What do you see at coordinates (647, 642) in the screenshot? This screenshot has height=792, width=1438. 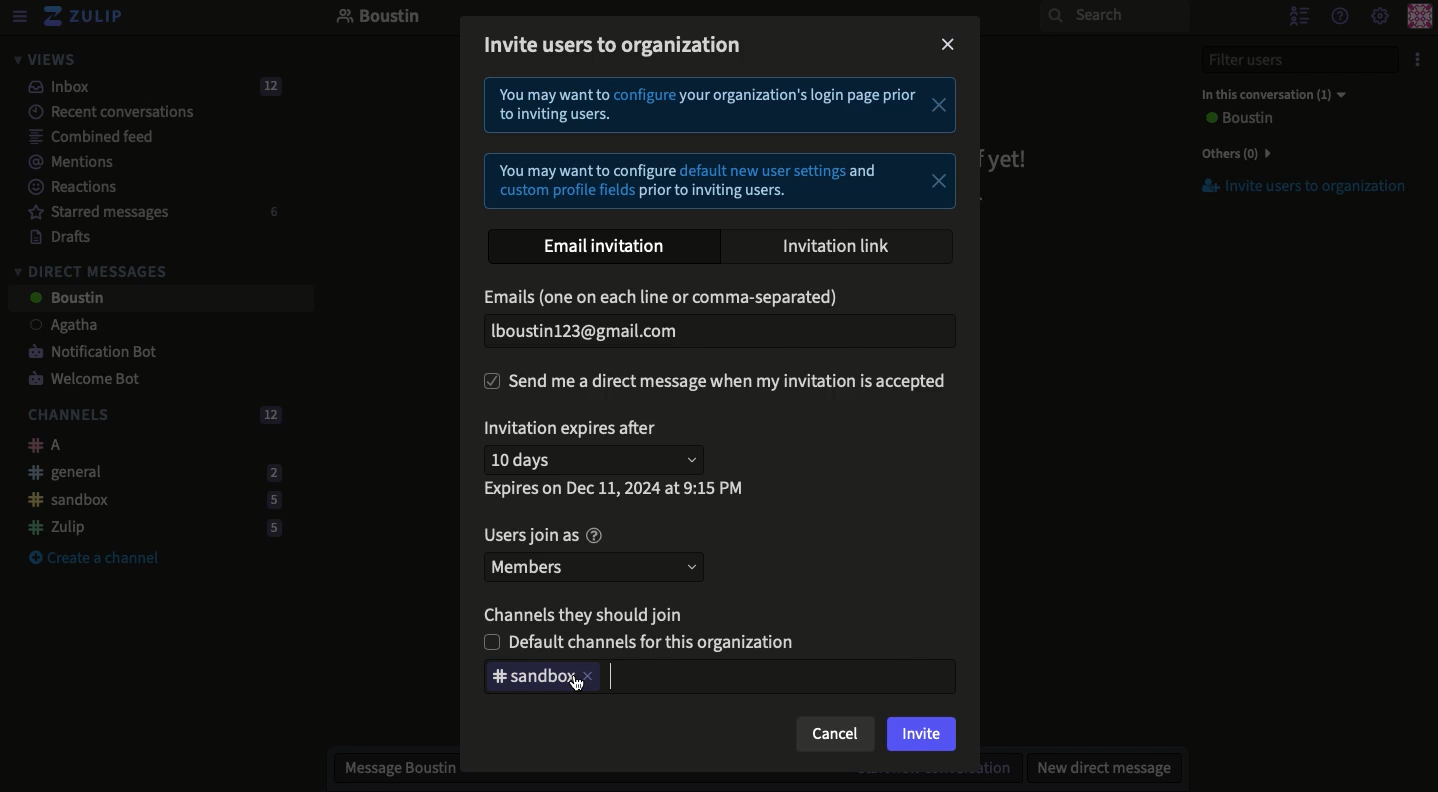 I see `Unselected` at bounding box center [647, 642].